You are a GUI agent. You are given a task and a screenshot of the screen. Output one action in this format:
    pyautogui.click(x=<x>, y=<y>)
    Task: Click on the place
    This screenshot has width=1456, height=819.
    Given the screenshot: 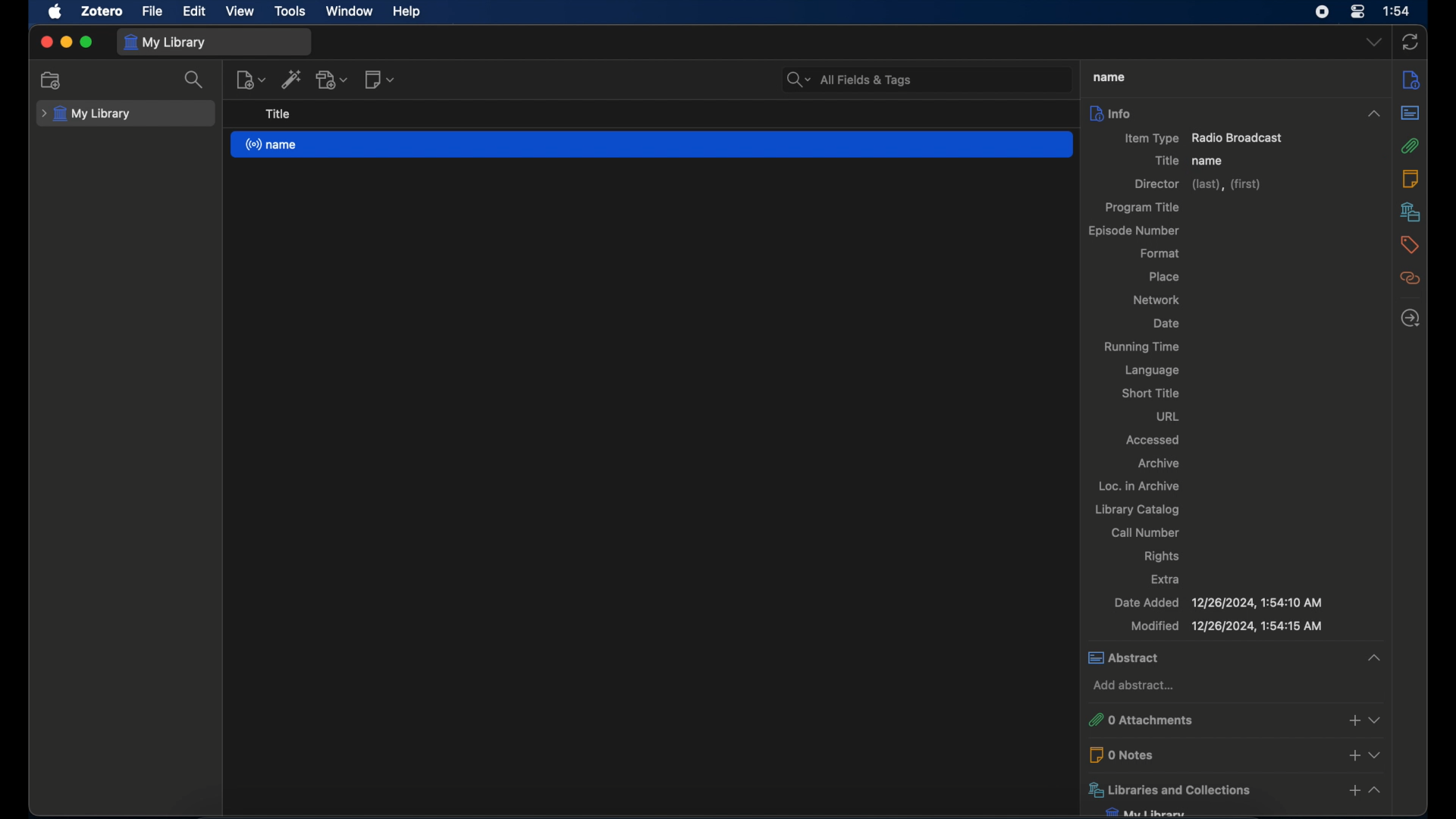 What is the action you would take?
    pyautogui.click(x=1164, y=276)
    